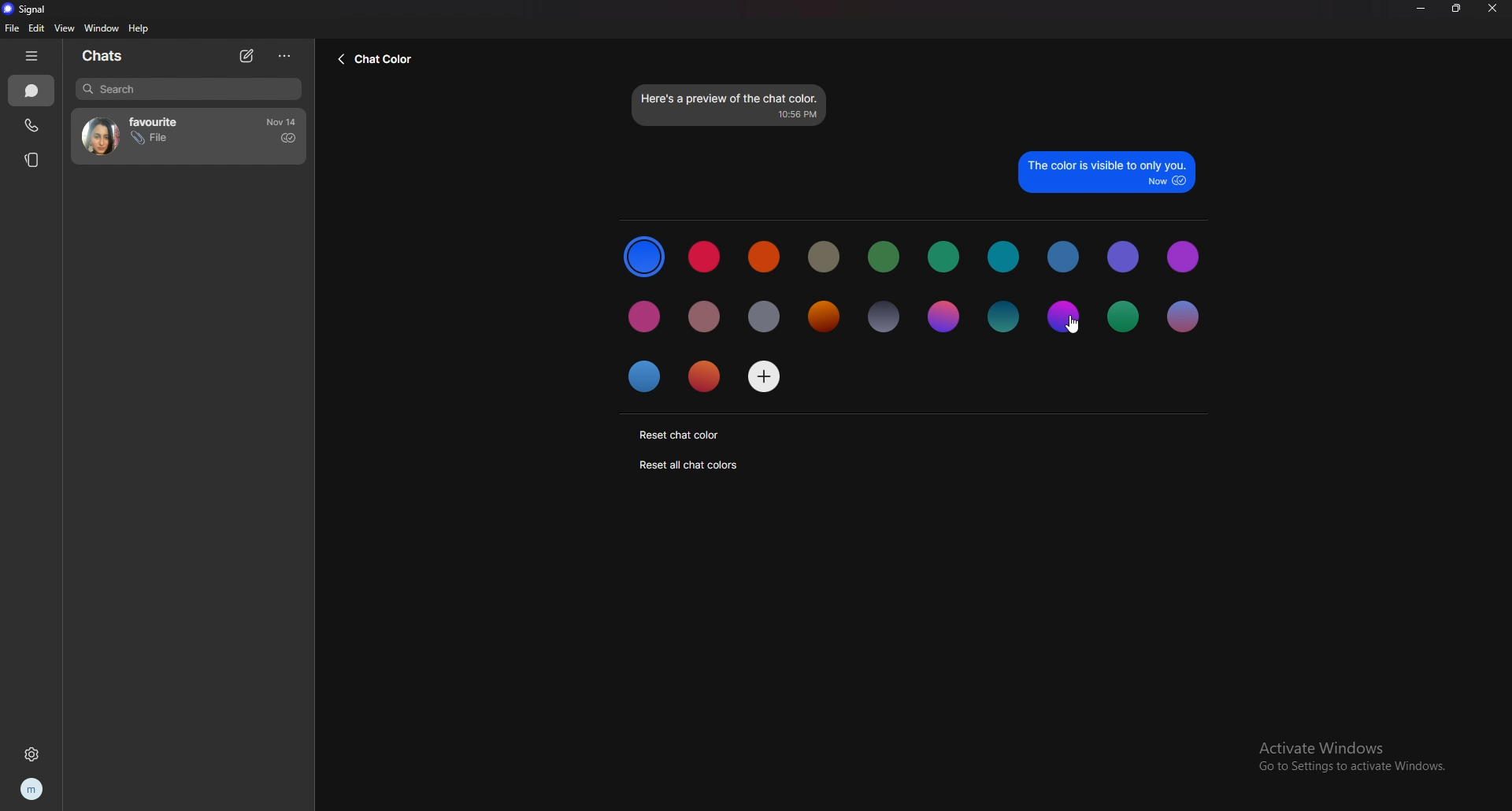 Image resolution: width=1512 pixels, height=811 pixels. What do you see at coordinates (647, 376) in the screenshot?
I see `color` at bounding box center [647, 376].